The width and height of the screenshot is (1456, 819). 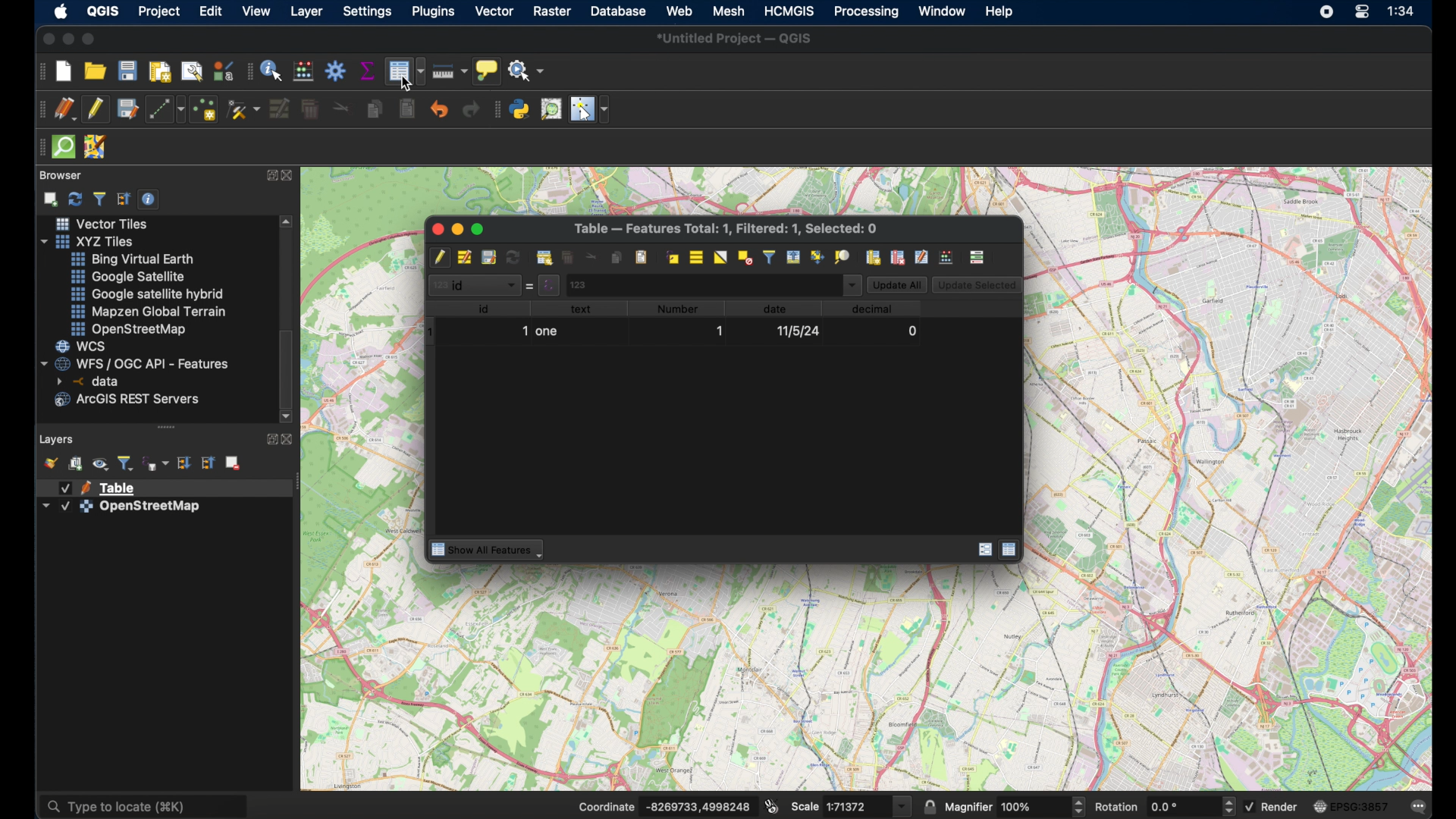 What do you see at coordinates (927, 805) in the screenshot?
I see `lock scale` at bounding box center [927, 805].